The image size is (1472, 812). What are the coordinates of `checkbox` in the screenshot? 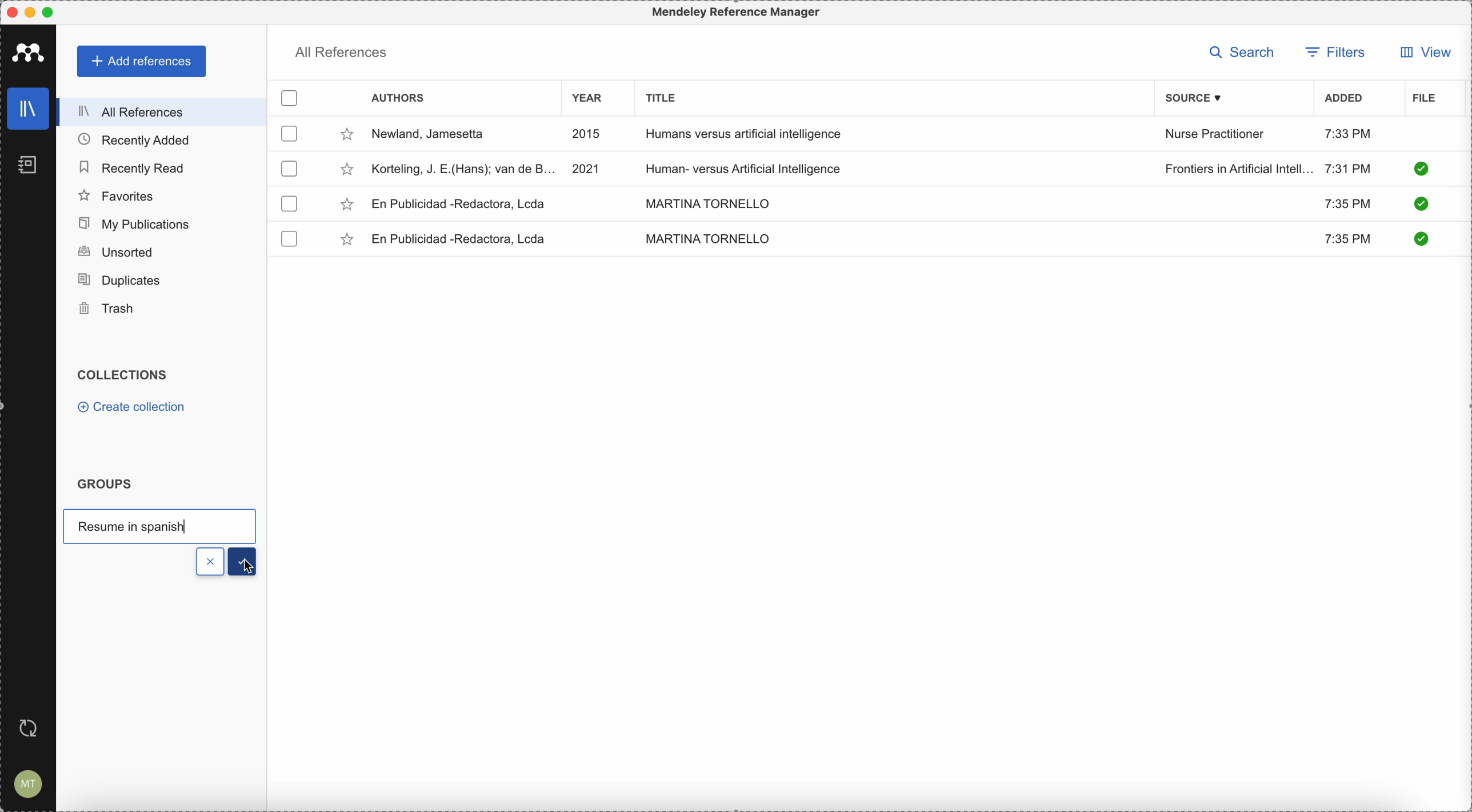 It's located at (292, 205).